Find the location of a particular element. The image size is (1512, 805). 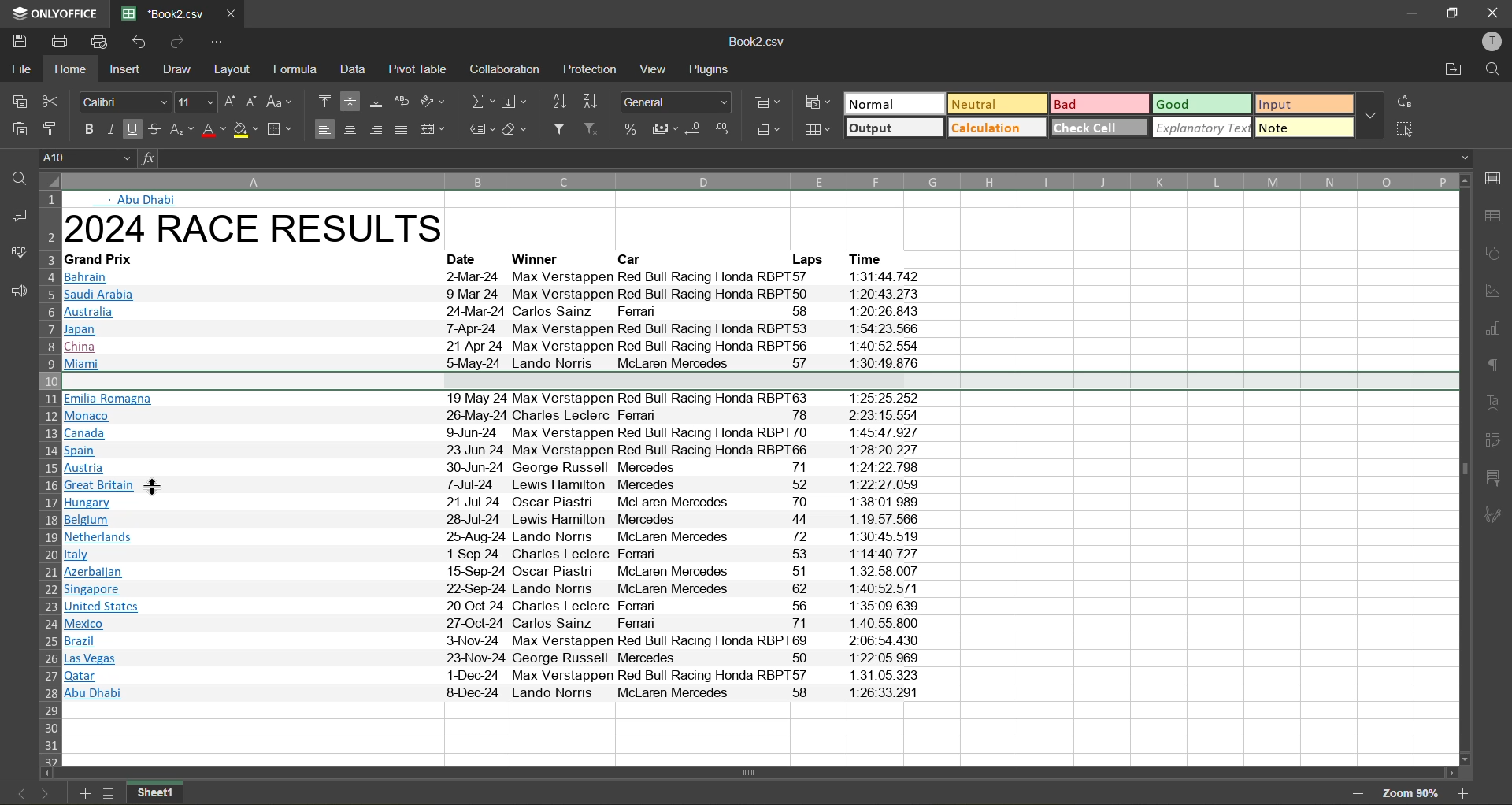

increase decimal is located at coordinates (723, 131).